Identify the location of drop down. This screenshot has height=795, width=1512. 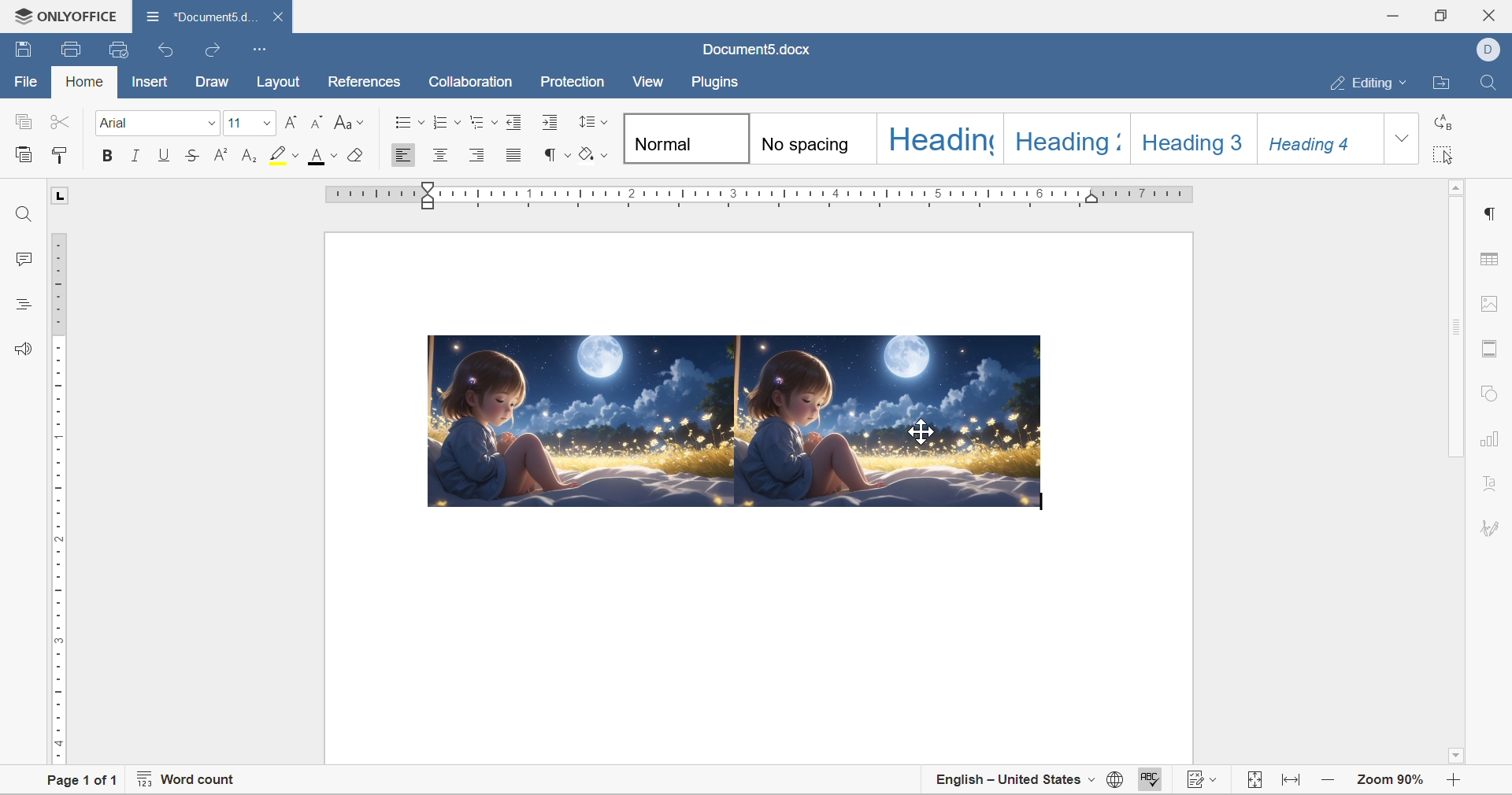
(1403, 138).